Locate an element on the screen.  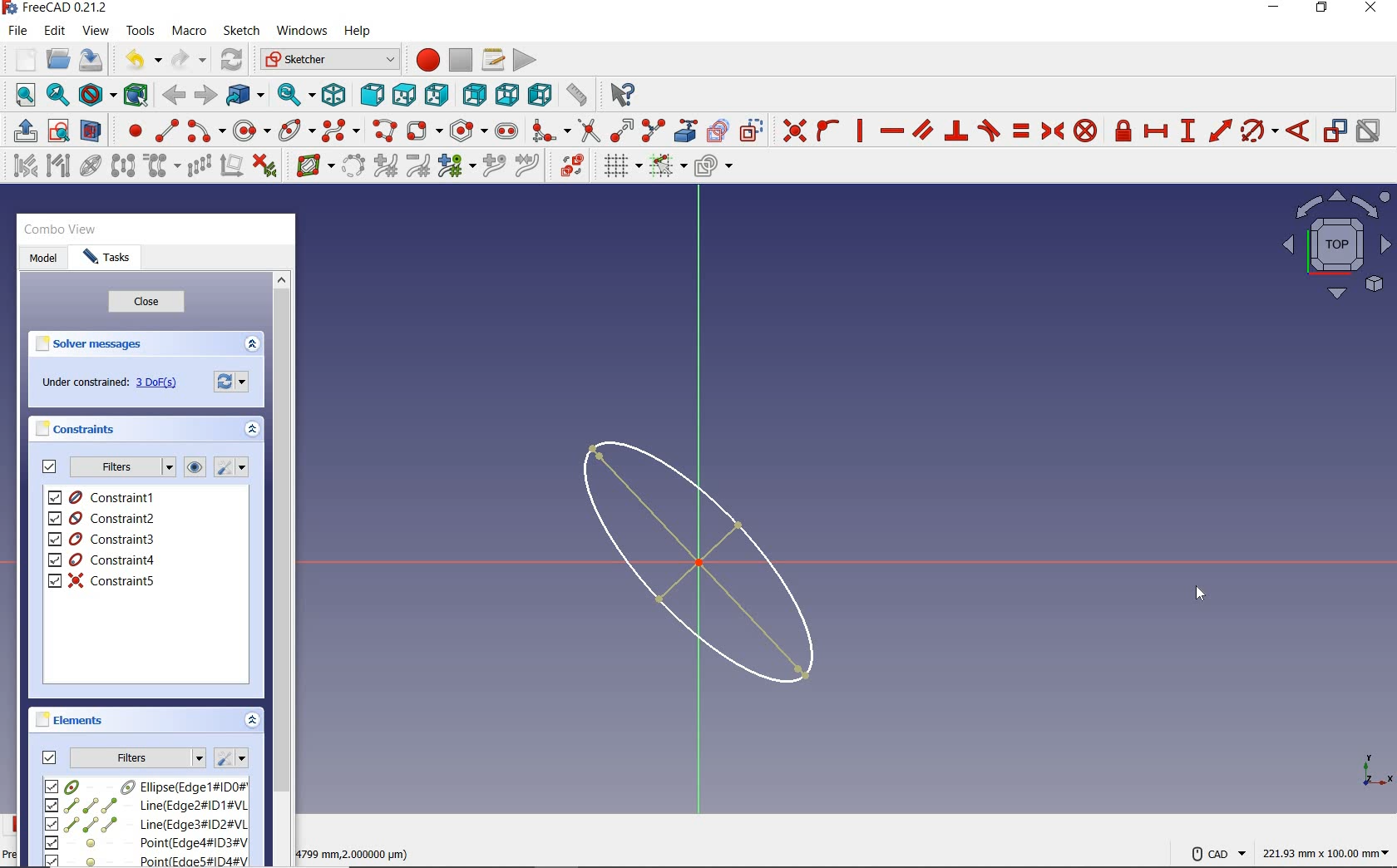
measurement is located at coordinates (1327, 851).